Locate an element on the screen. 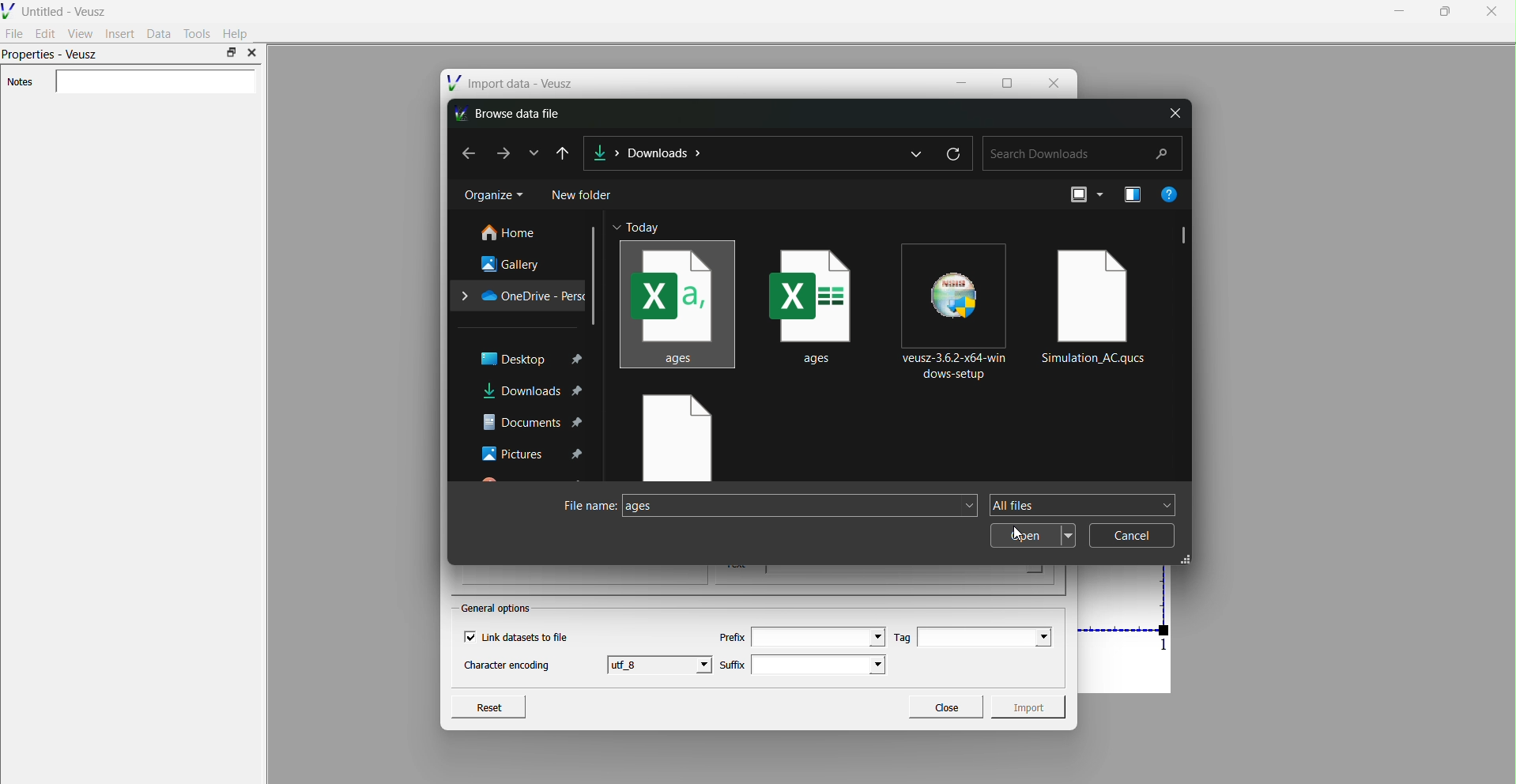 The image size is (1516, 784). Prefix is located at coordinates (731, 637).